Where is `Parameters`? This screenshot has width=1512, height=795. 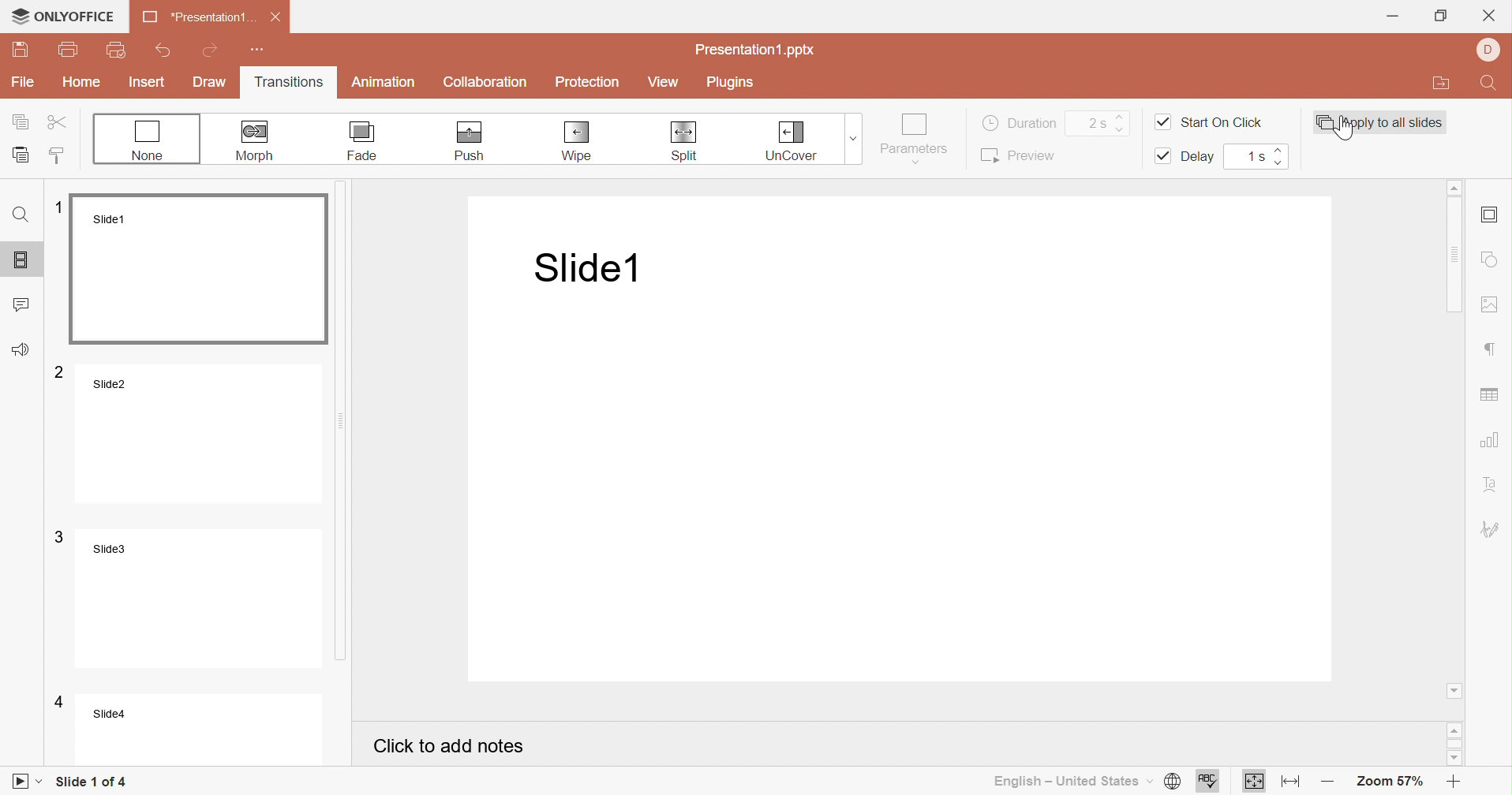 Parameters is located at coordinates (915, 138).